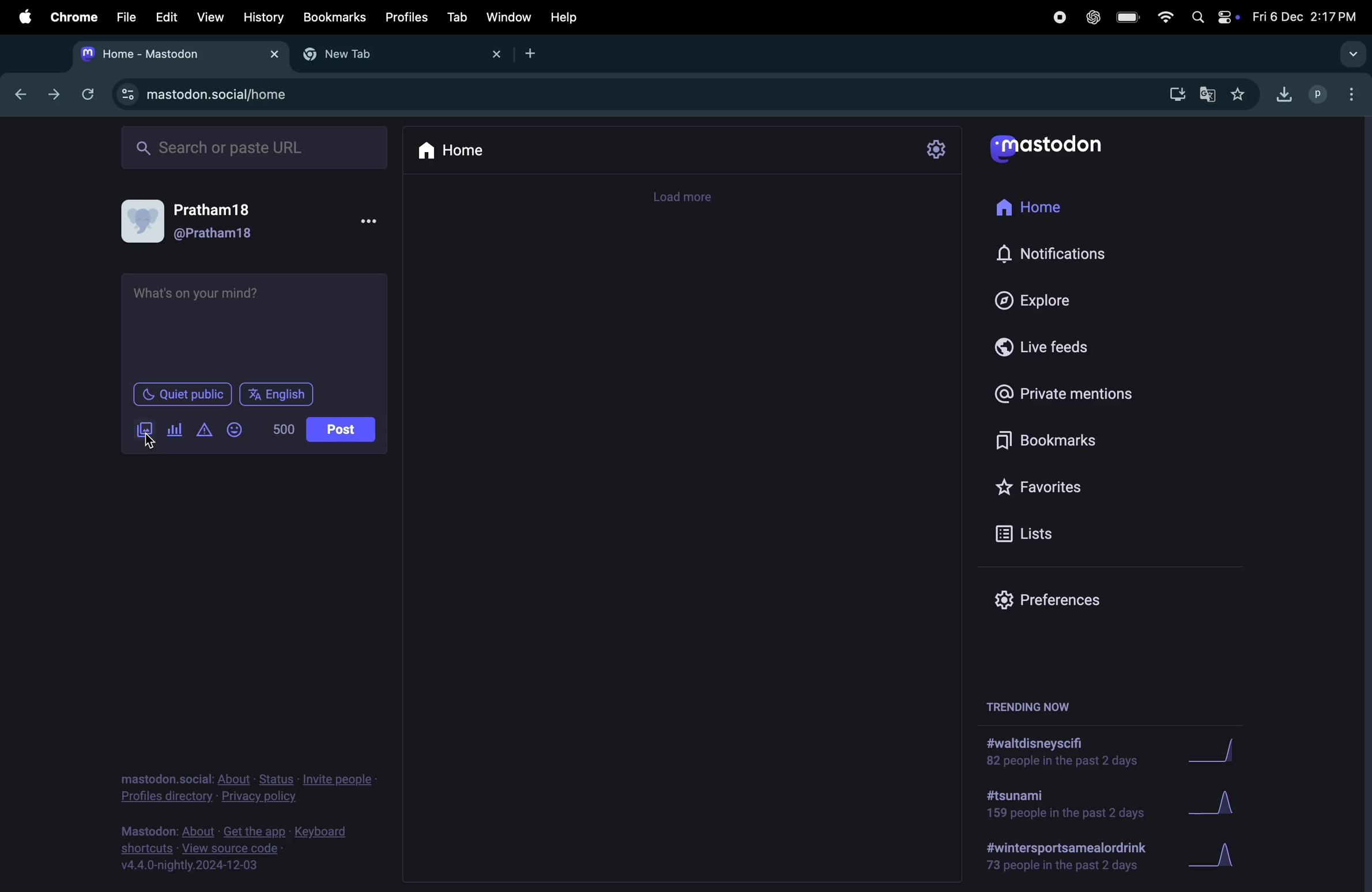  Describe the element at coordinates (1175, 92) in the screenshot. I see `downloads` at that location.